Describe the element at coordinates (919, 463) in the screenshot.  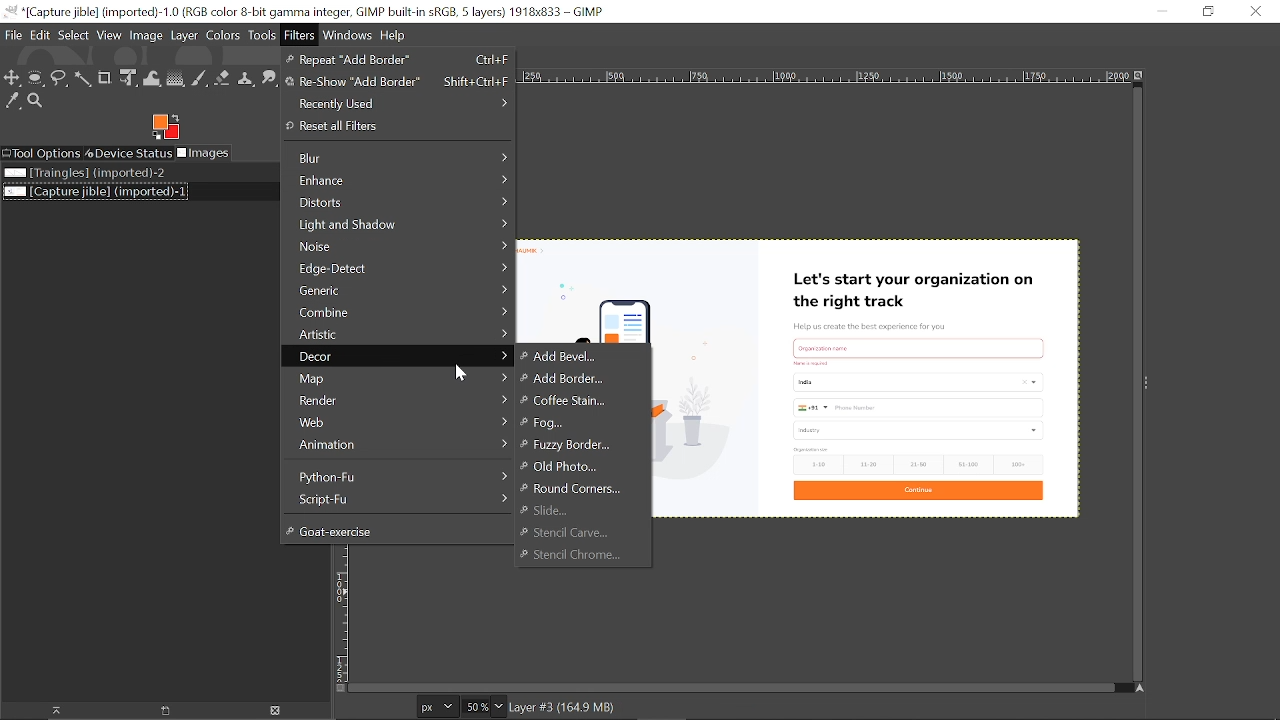
I see `21-50` at that location.